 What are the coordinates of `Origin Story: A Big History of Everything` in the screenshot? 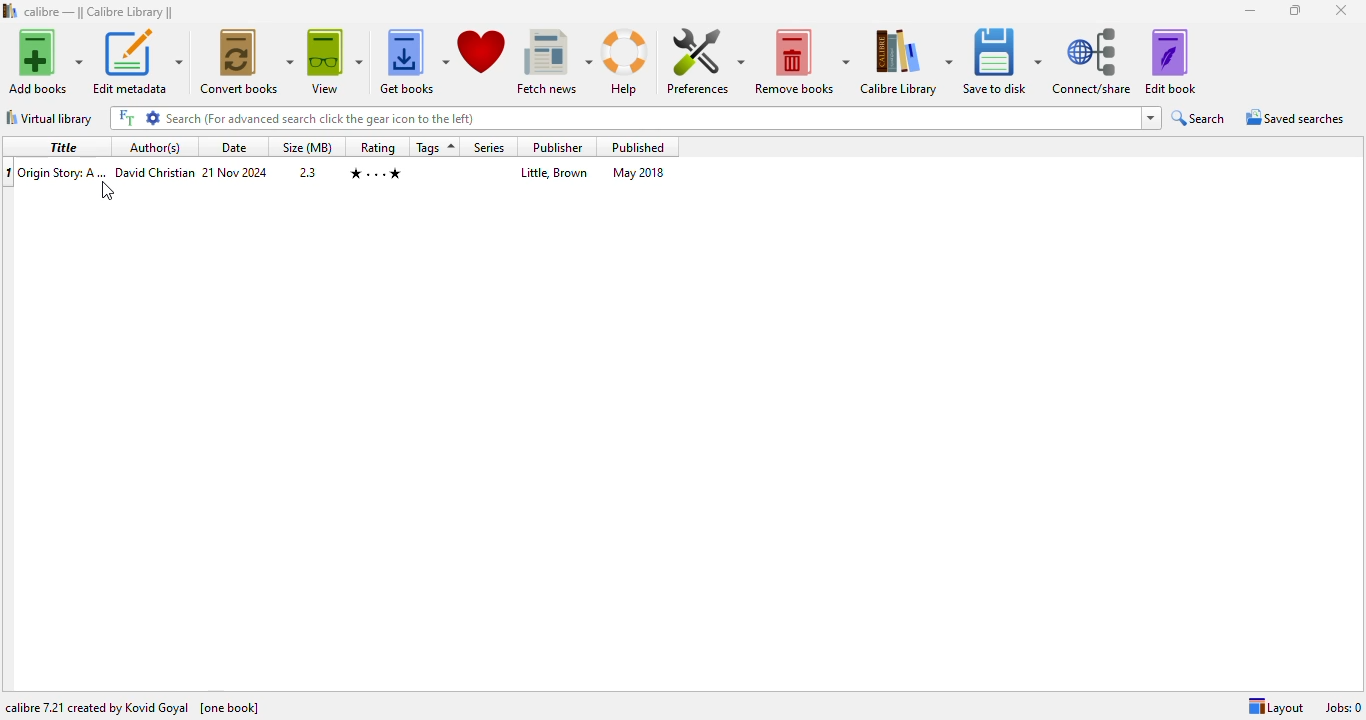 It's located at (64, 173).